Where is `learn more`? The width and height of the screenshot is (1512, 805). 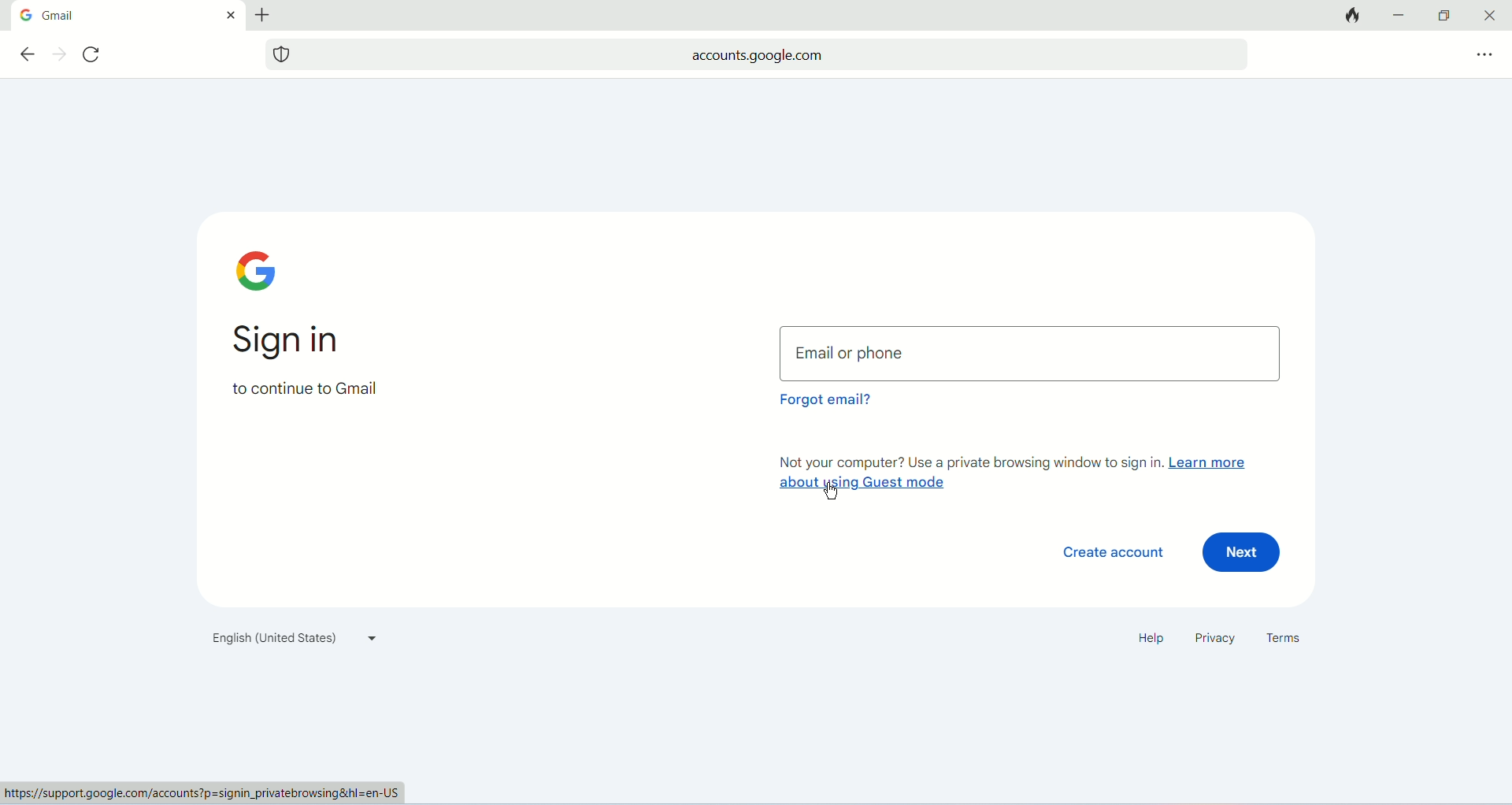 learn more is located at coordinates (1211, 463).